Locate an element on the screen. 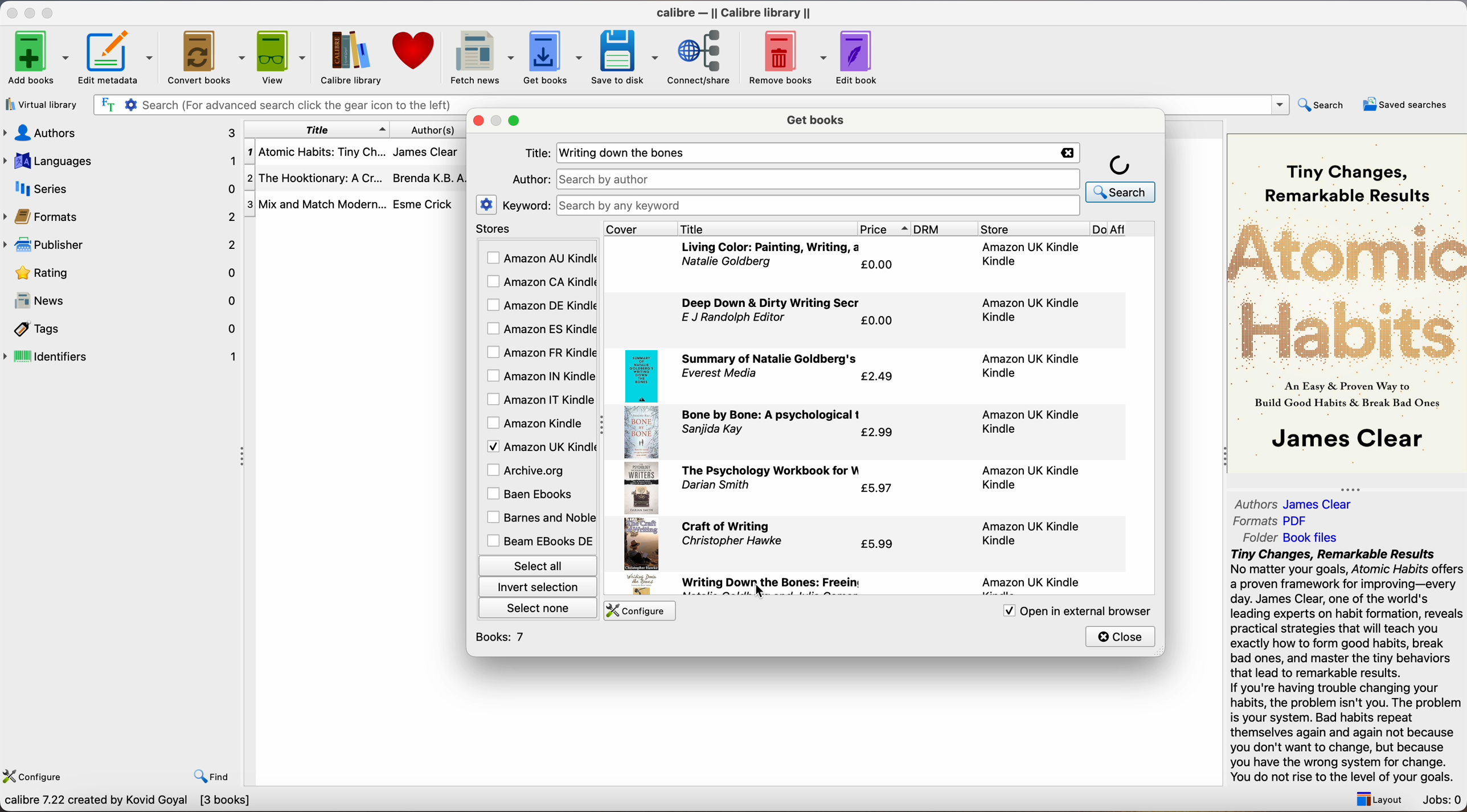  add books is located at coordinates (38, 59).